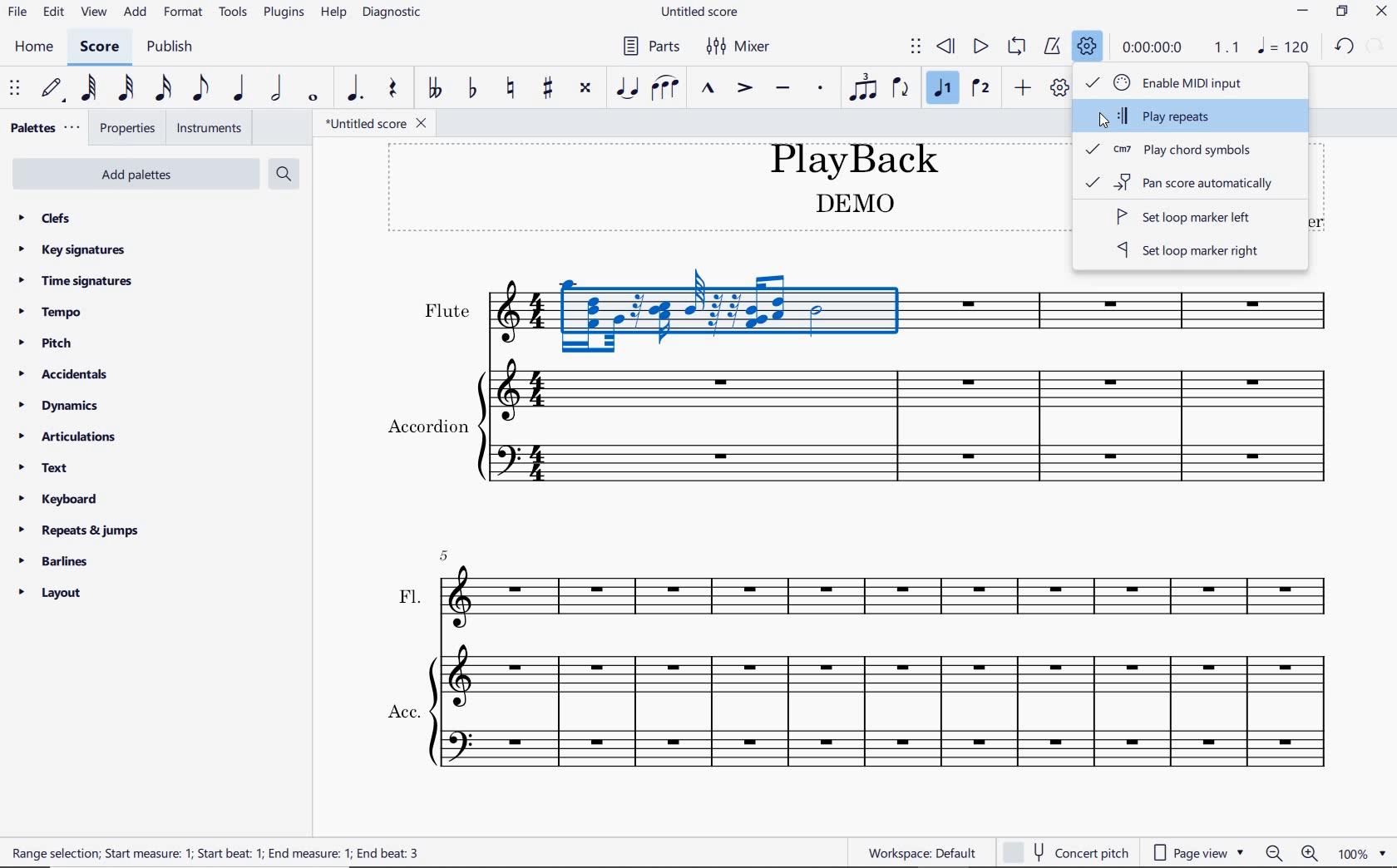  I want to click on repeats & jumps, so click(79, 530).